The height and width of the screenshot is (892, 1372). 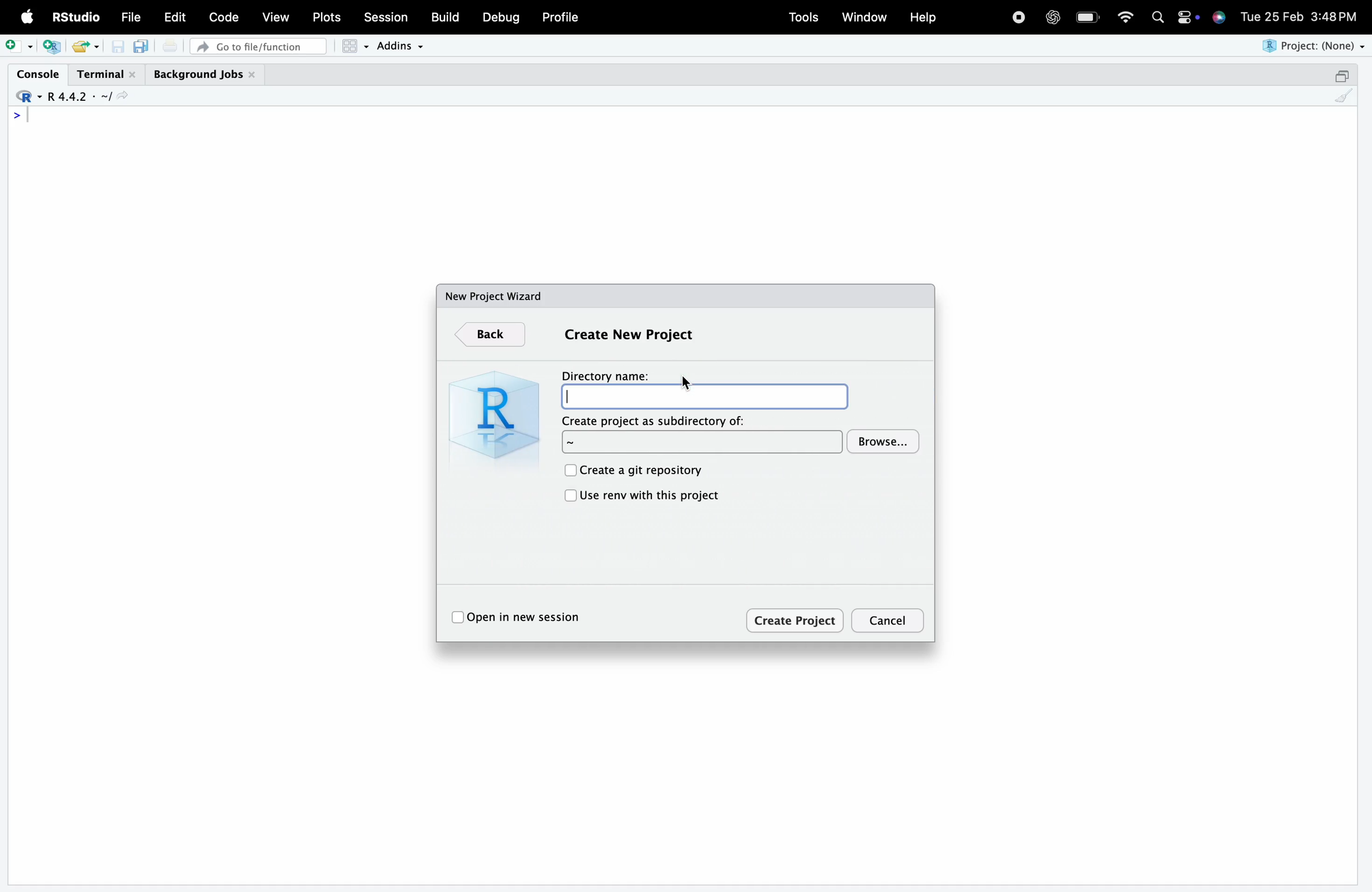 What do you see at coordinates (444, 17) in the screenshot?
I see `Build` at bounding box center [444, 17].